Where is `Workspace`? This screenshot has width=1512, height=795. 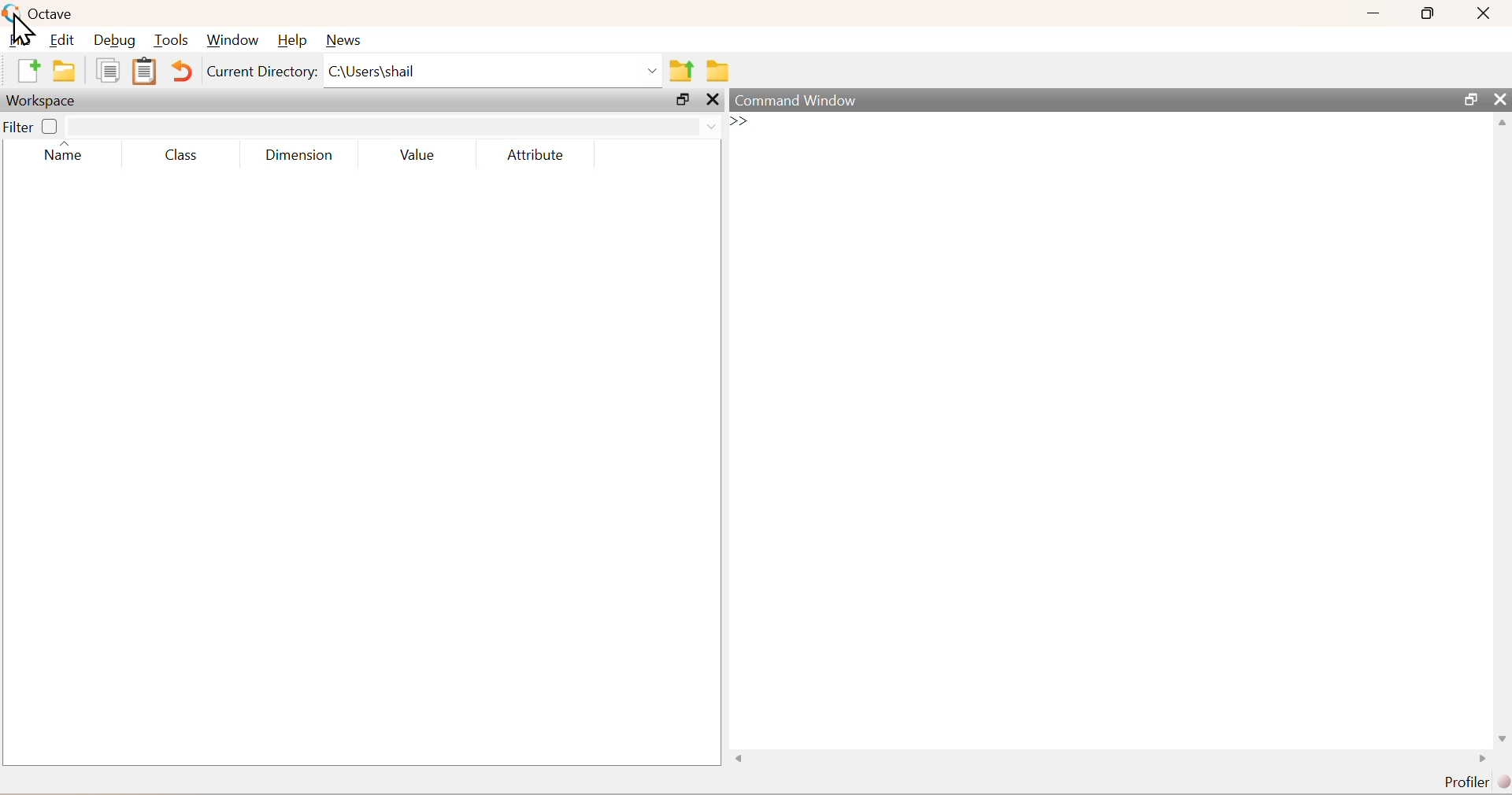
Workspace is located at coordinates (41, 101).